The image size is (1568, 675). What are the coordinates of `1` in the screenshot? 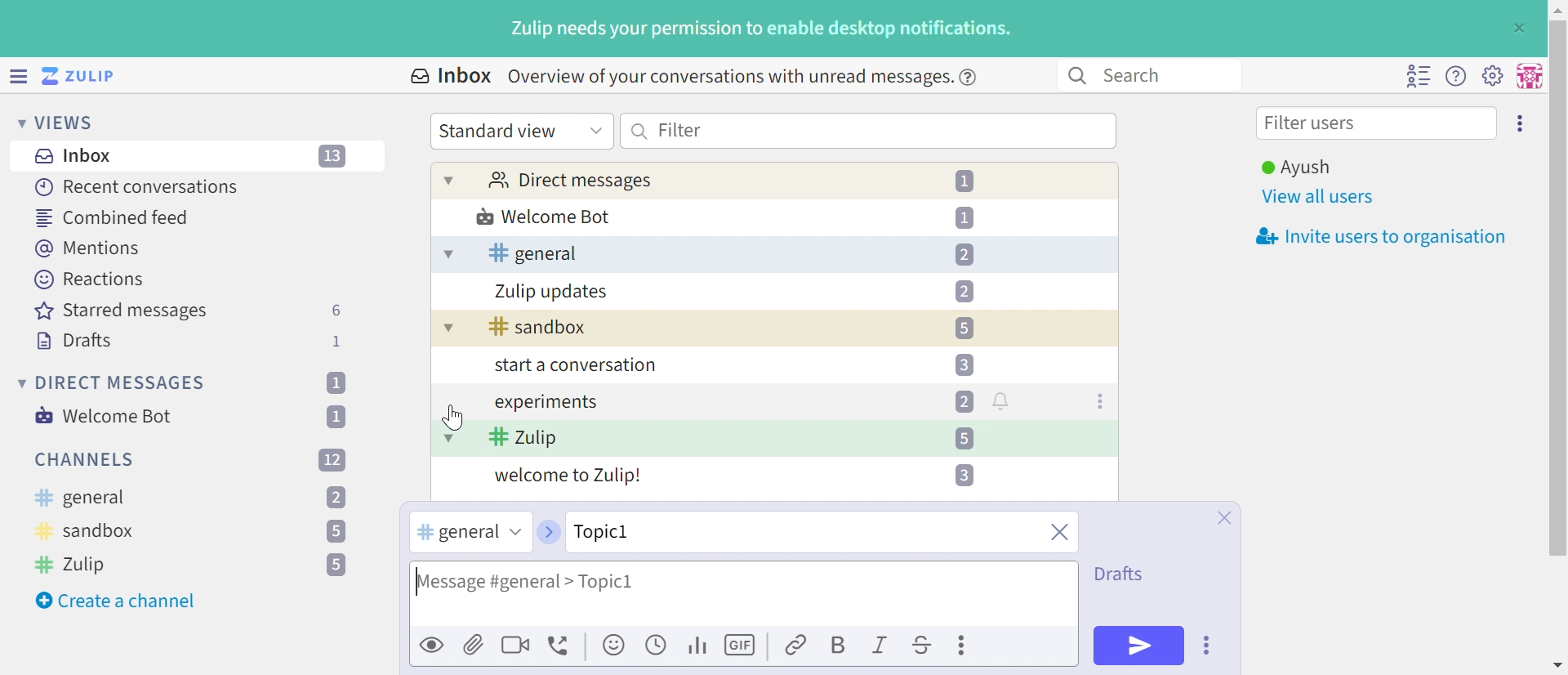 It's located at (340, 416).